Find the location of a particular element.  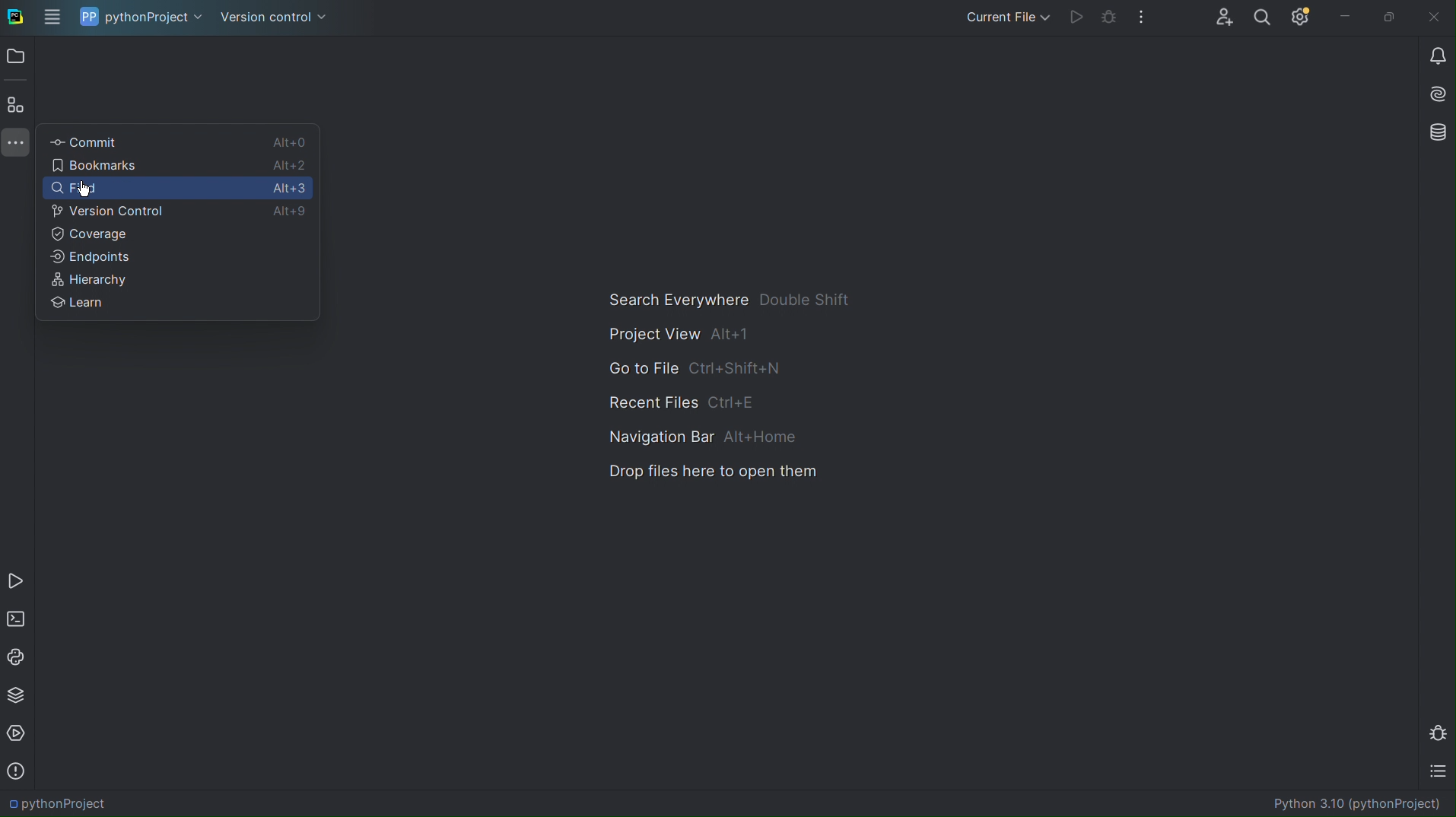

Debug  is located at coordinates (1111, 19).